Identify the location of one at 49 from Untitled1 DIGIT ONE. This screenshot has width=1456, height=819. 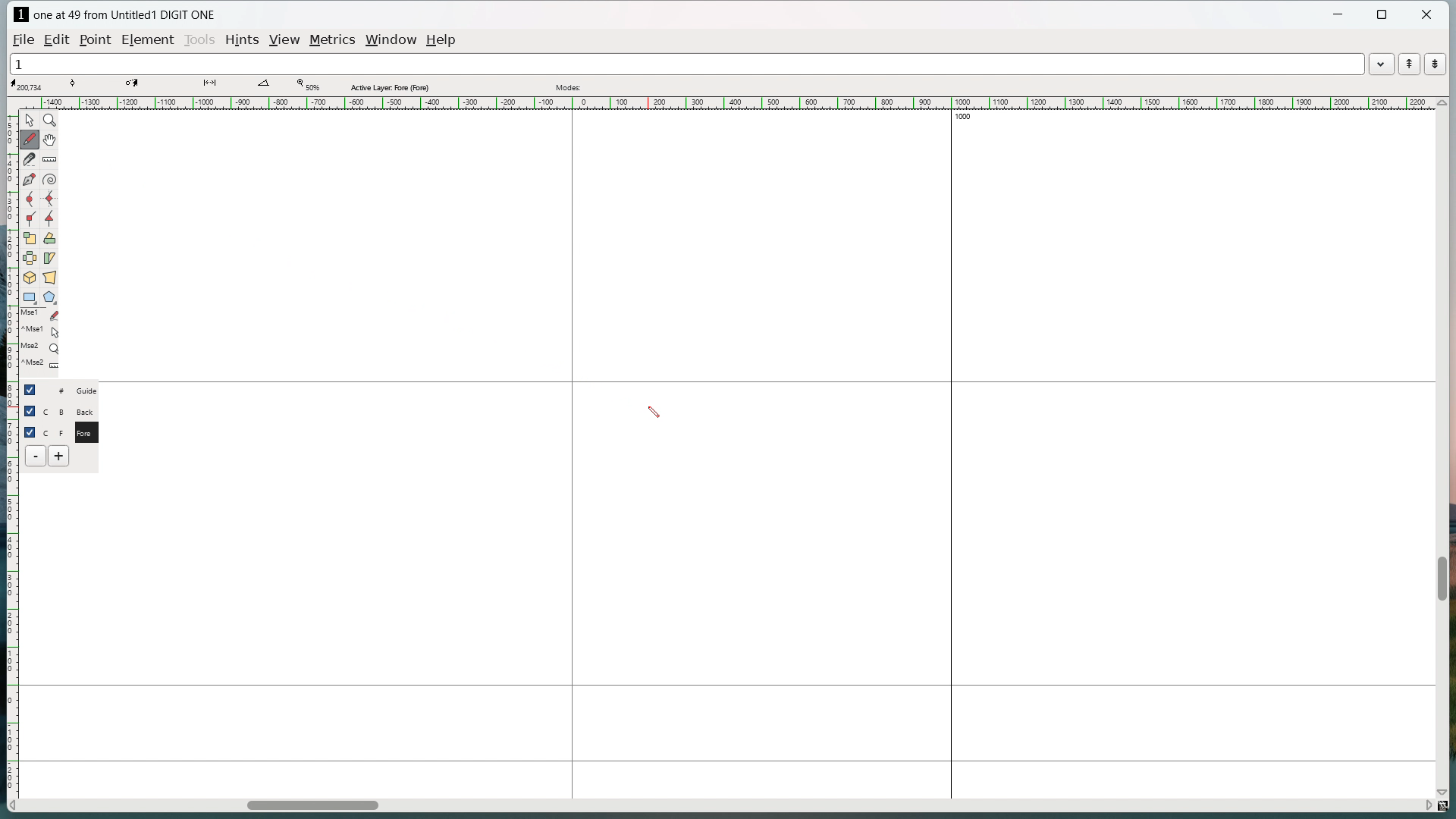
(126, 15).